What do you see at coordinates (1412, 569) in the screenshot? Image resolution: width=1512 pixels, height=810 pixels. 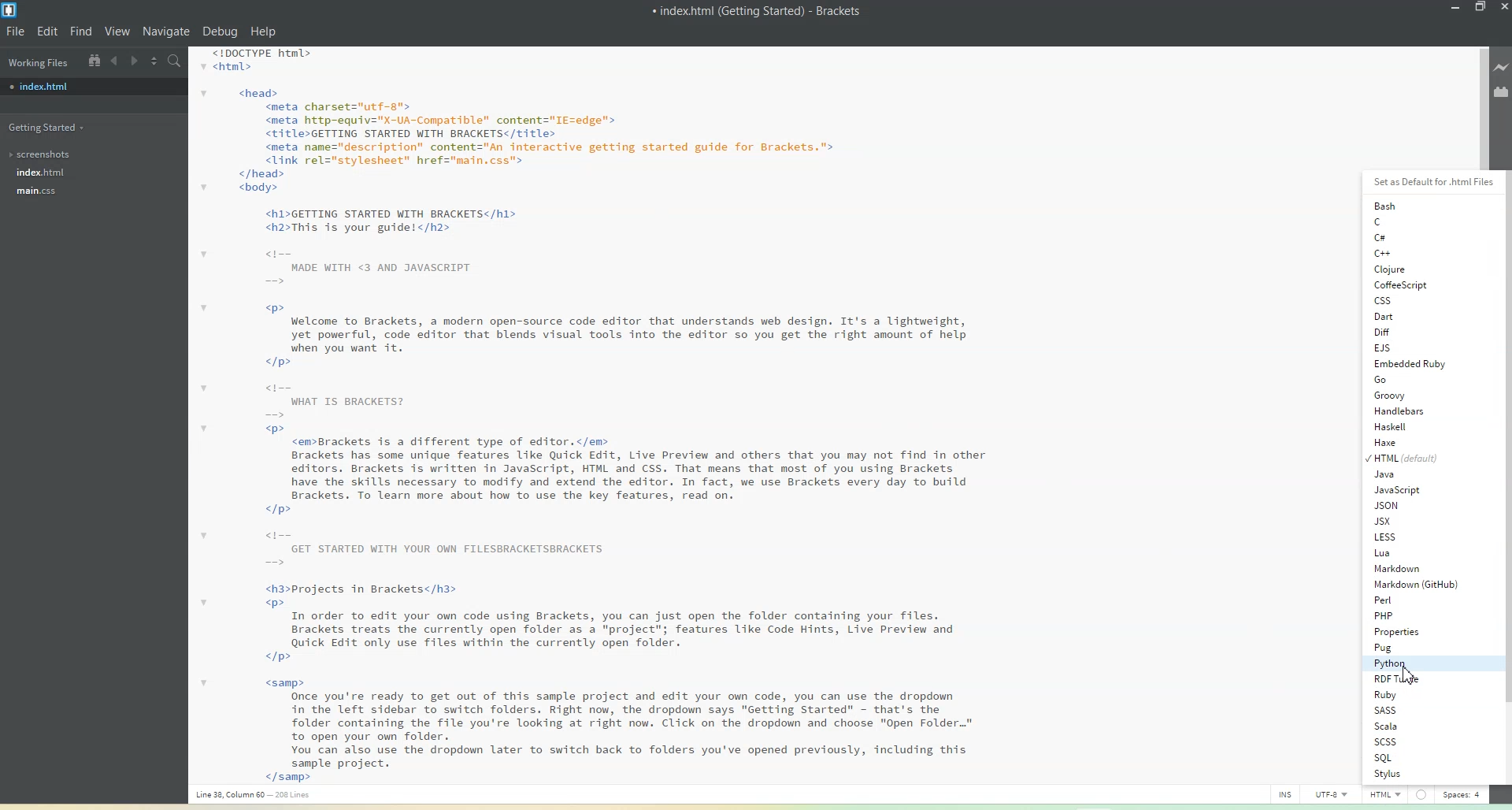 I see `Markdown` at bounding box center [1412, 569].